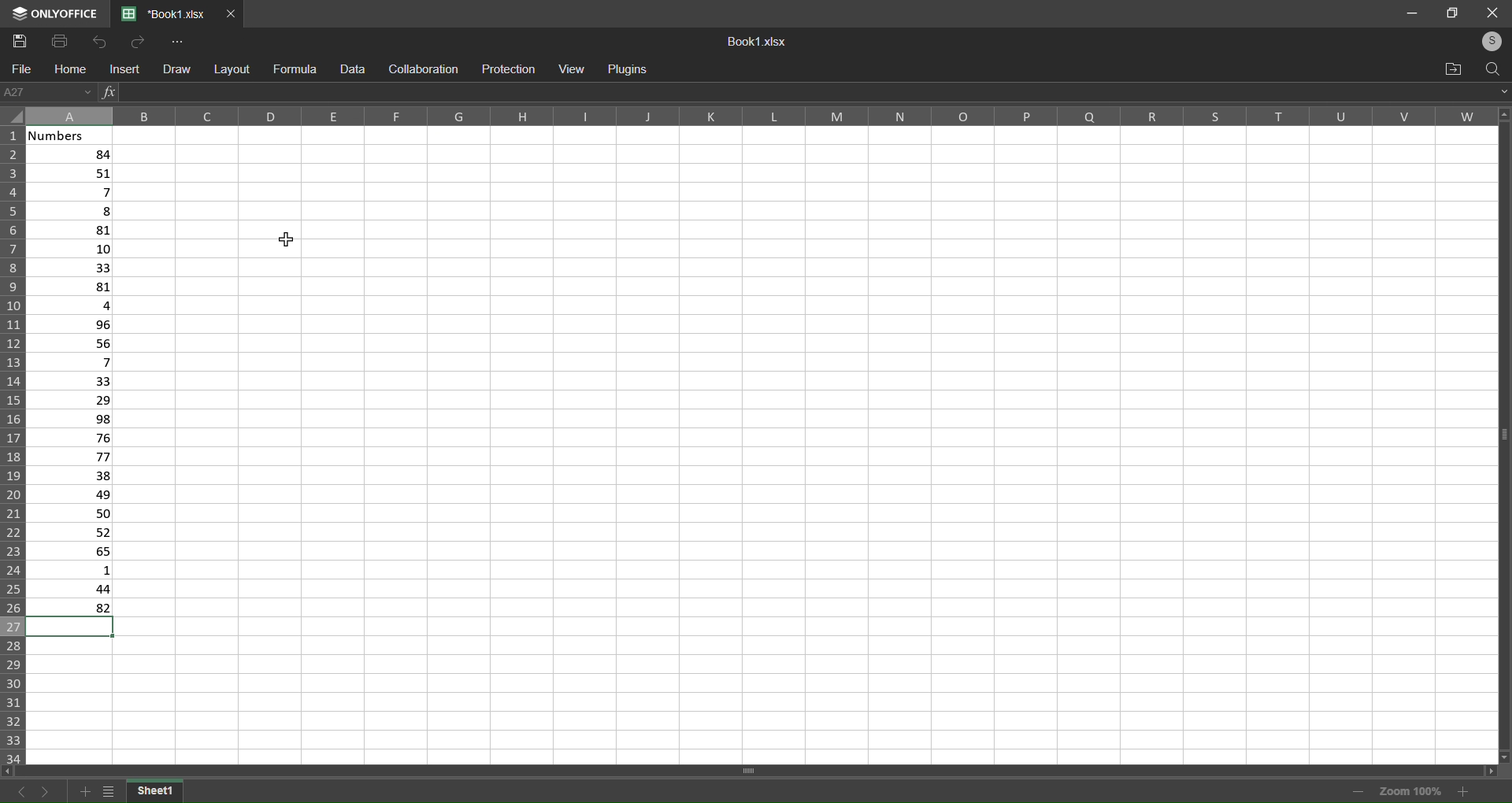  I want to click on Row label, so click(14, 445).